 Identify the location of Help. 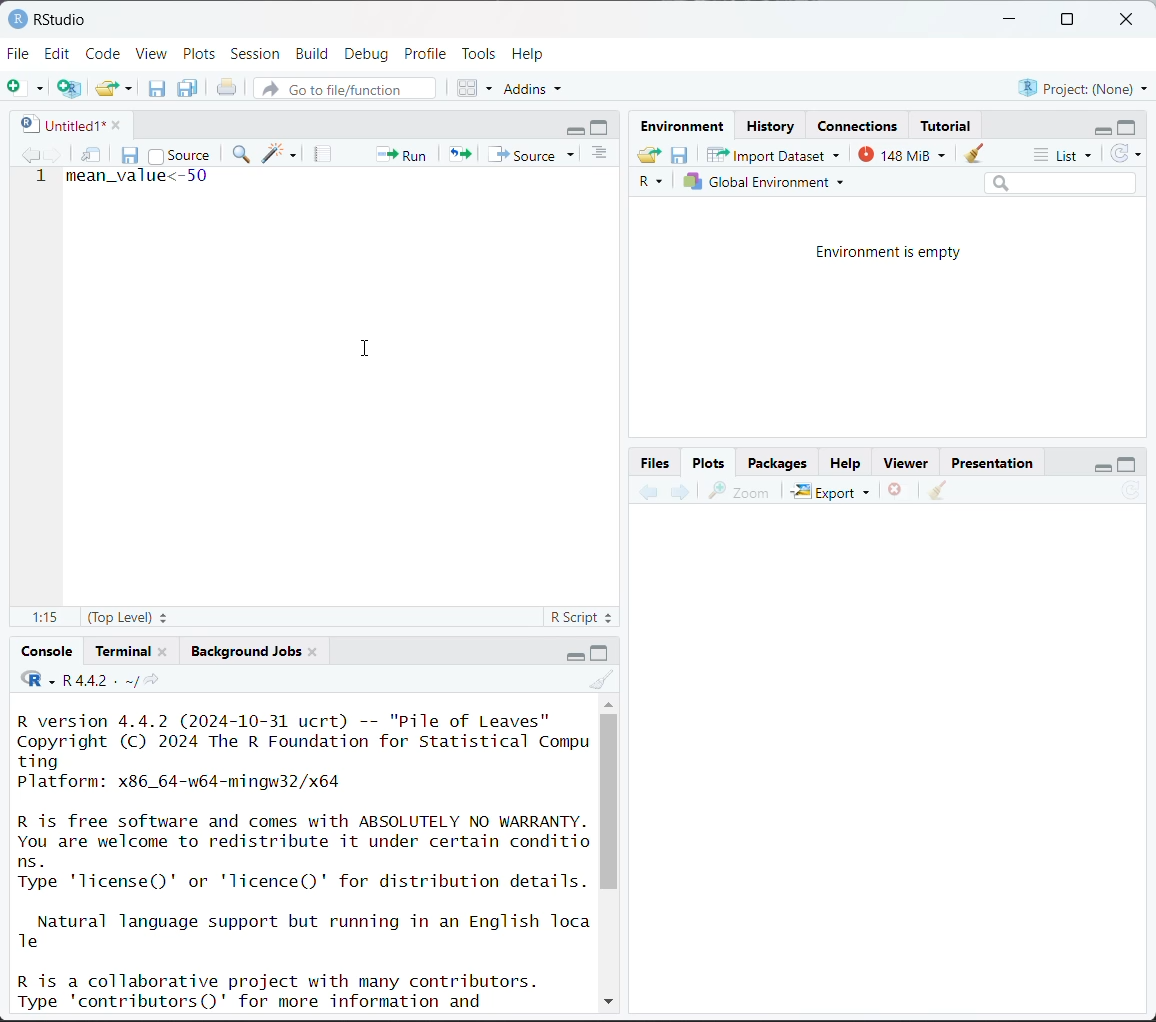
(845, 465).